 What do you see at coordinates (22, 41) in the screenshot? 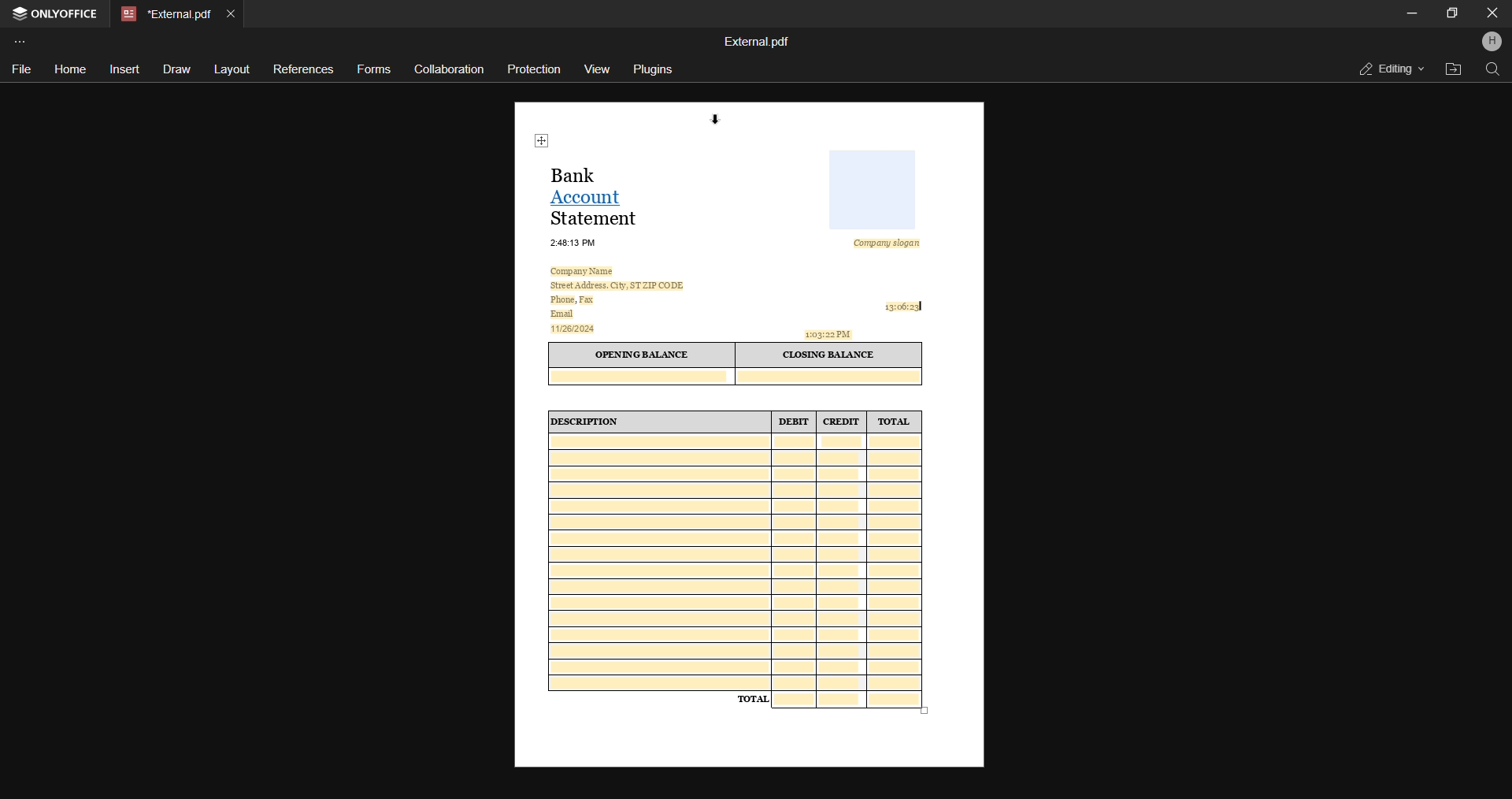
I see `customize toolbar` at bounding box center [22, 41].